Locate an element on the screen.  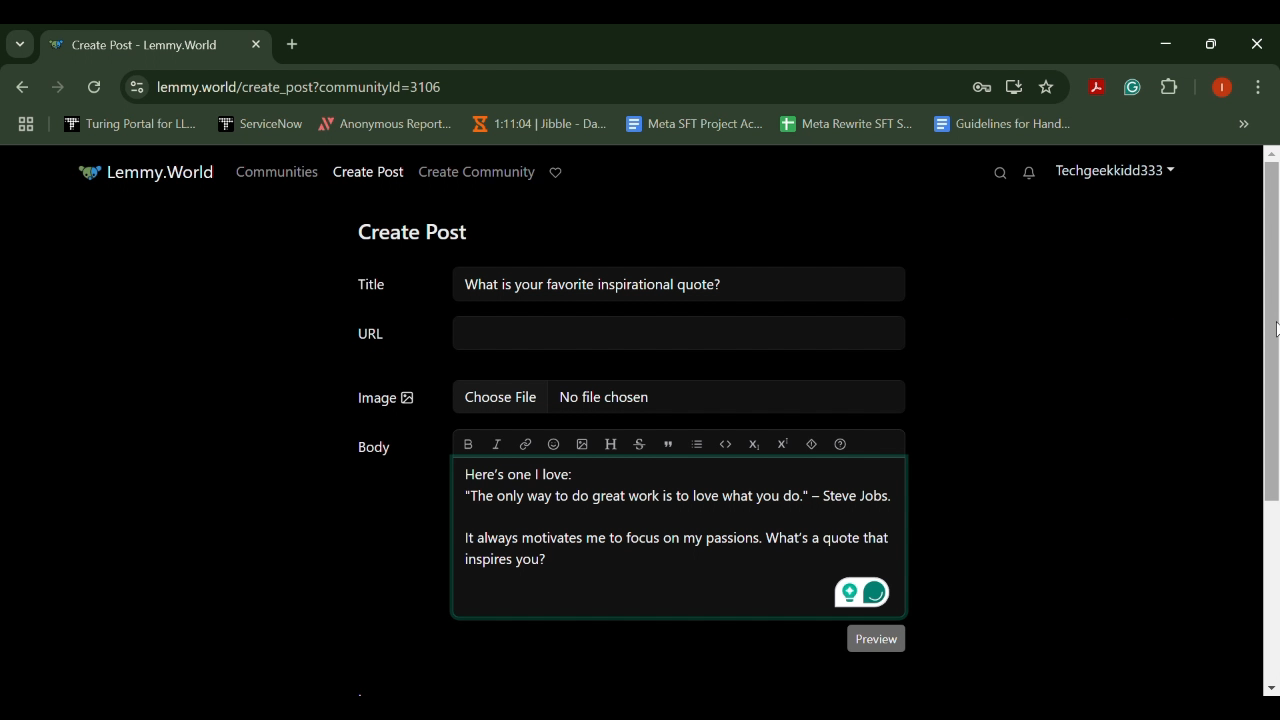
Search  is located at coordinates (1000, 173).